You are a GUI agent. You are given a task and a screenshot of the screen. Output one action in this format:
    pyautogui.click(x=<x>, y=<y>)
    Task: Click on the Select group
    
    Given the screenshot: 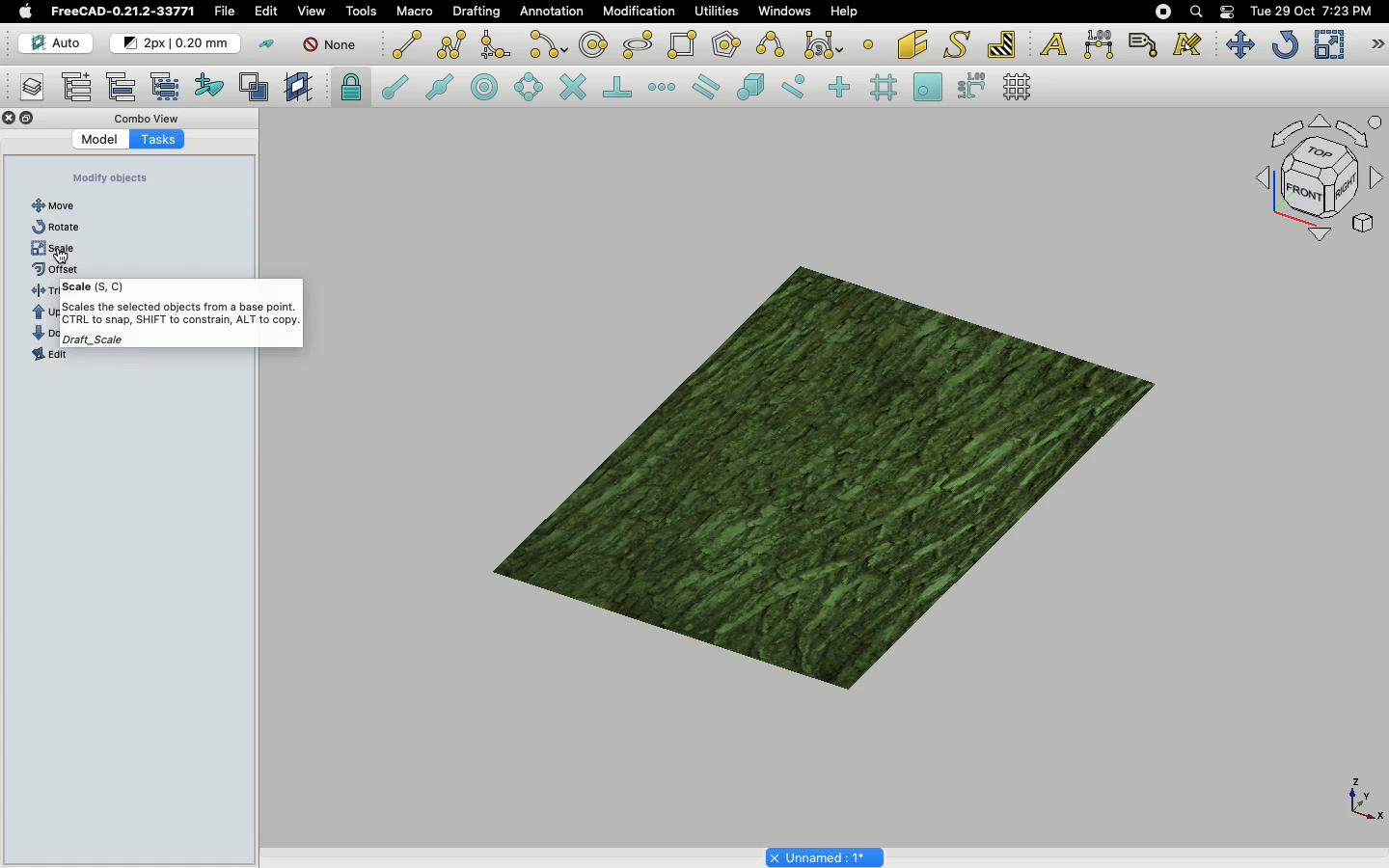 What is the action you would take?
    pyautogui.click(x=168, y=86)
    